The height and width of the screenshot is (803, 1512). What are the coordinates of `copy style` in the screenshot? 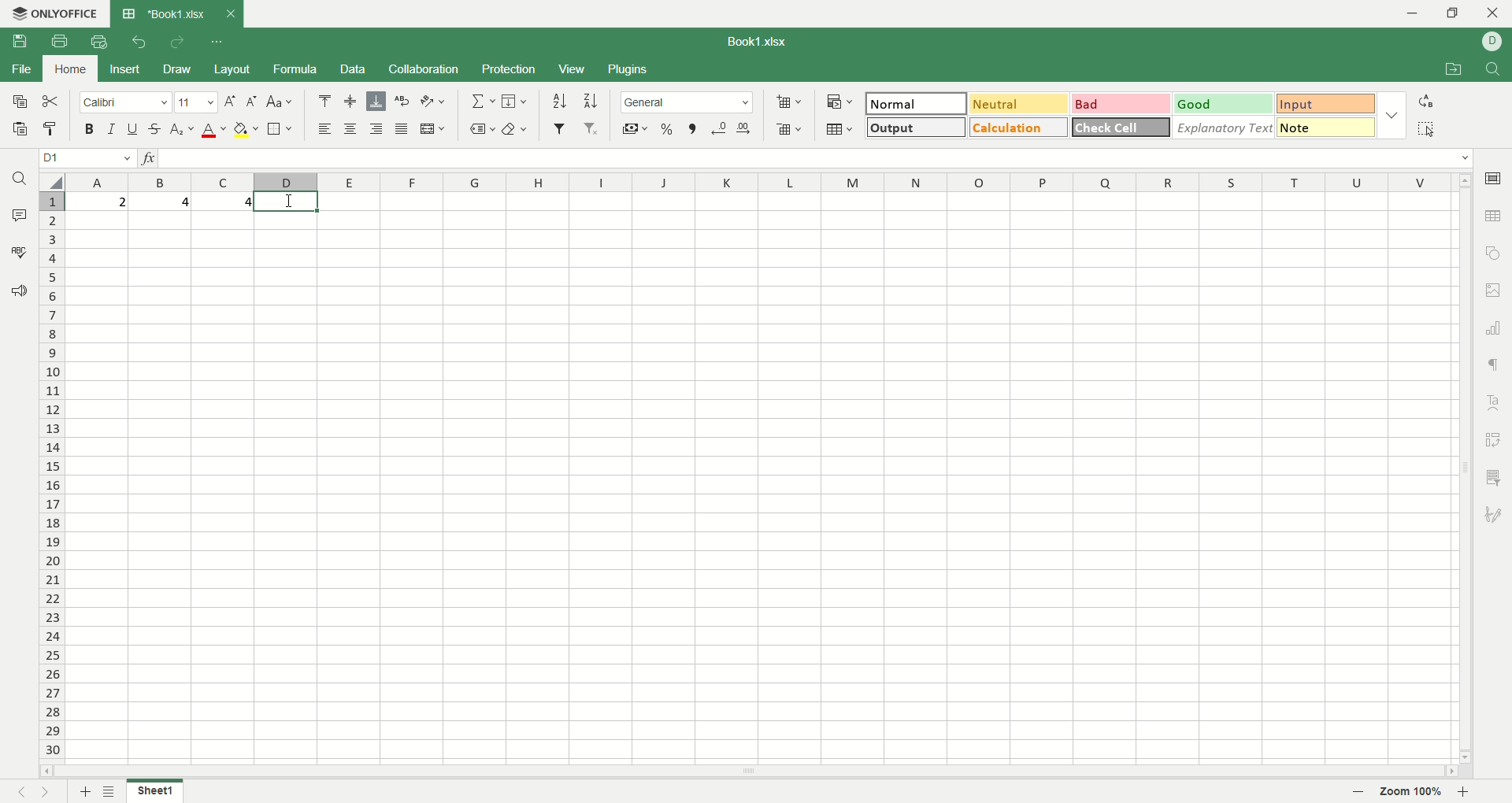 It's located at (53, 128).